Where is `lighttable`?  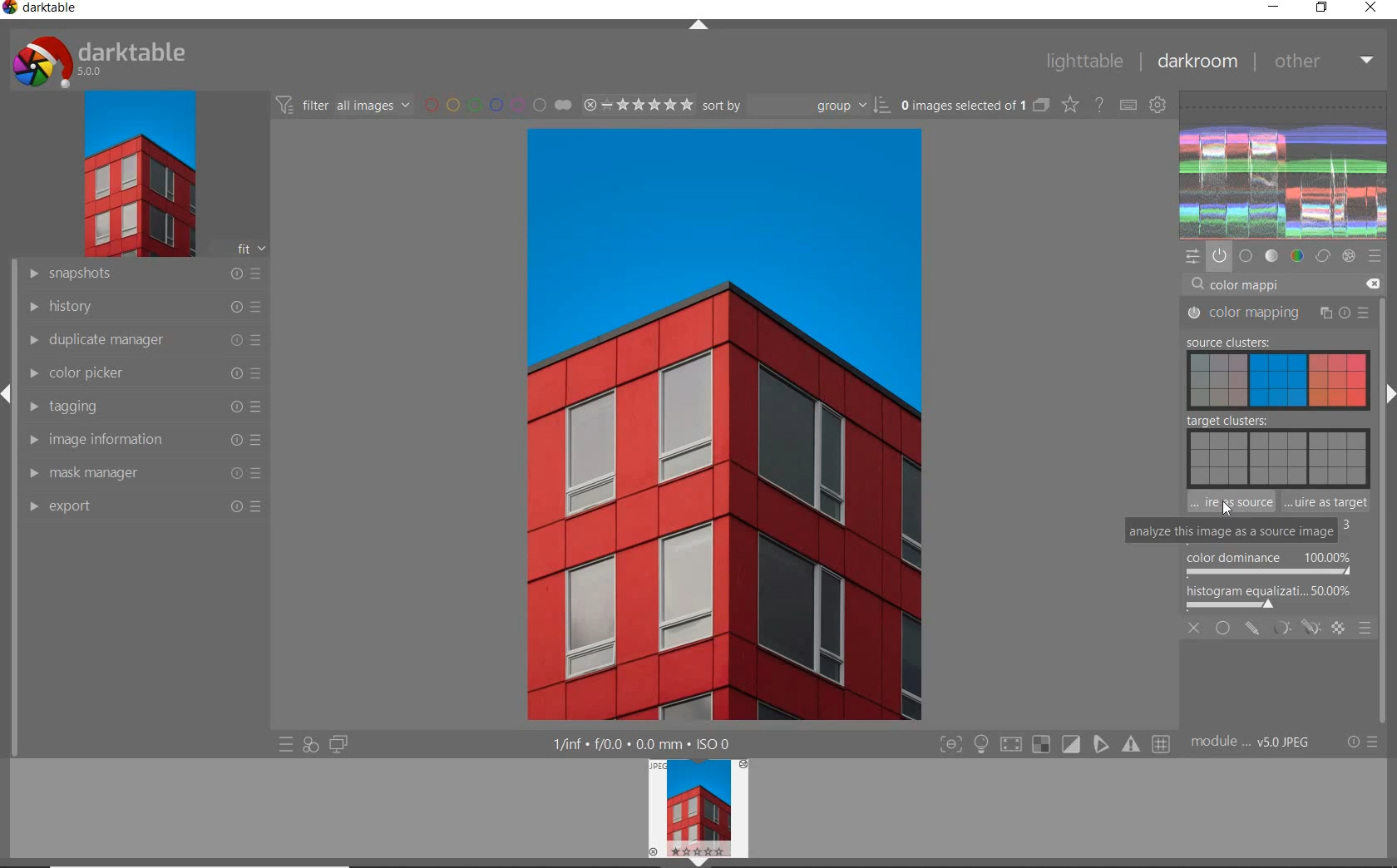
lighttable is located at coordinates (1088, 61).